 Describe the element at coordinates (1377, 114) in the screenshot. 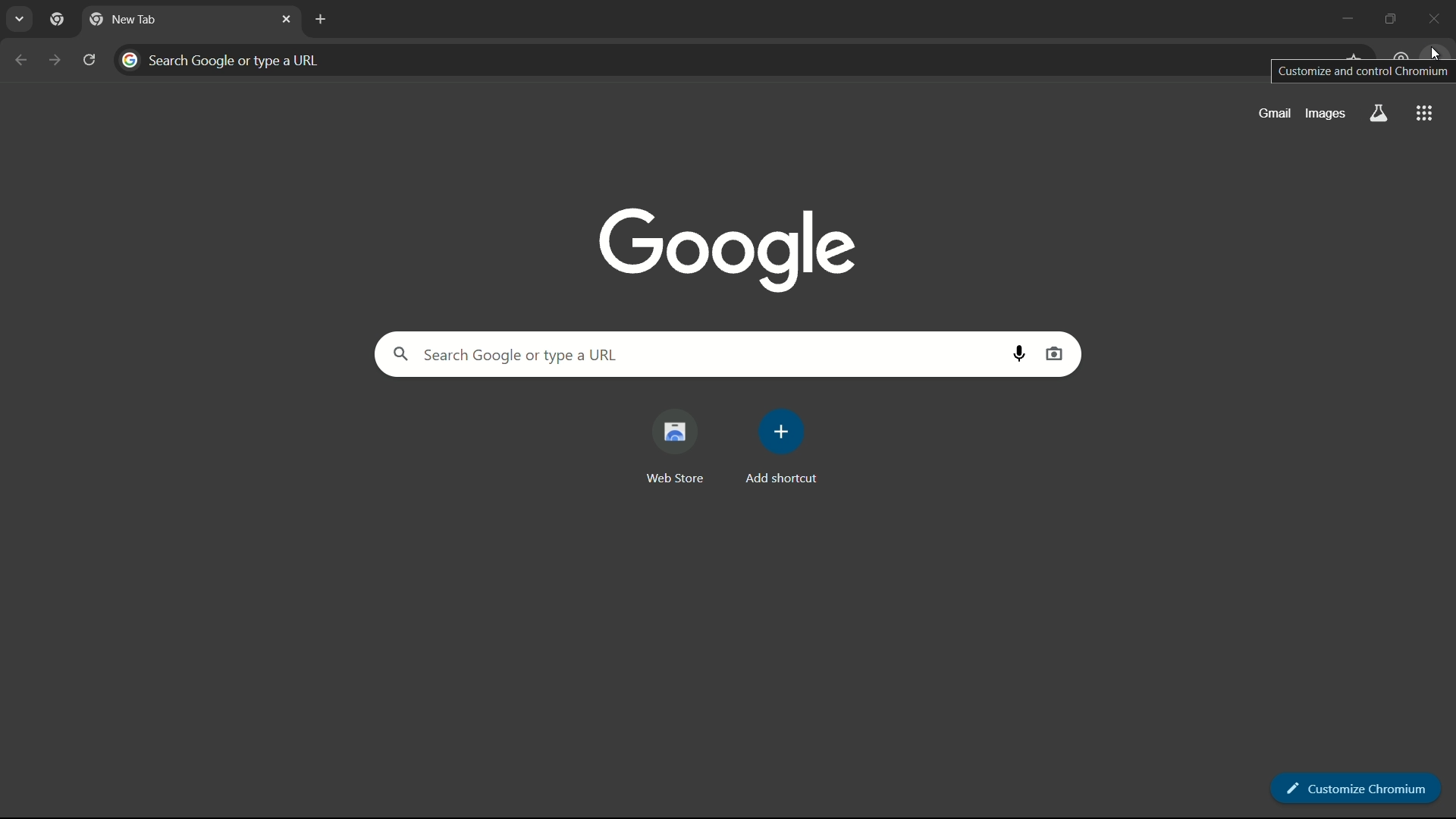

I see `search labs` at that location.